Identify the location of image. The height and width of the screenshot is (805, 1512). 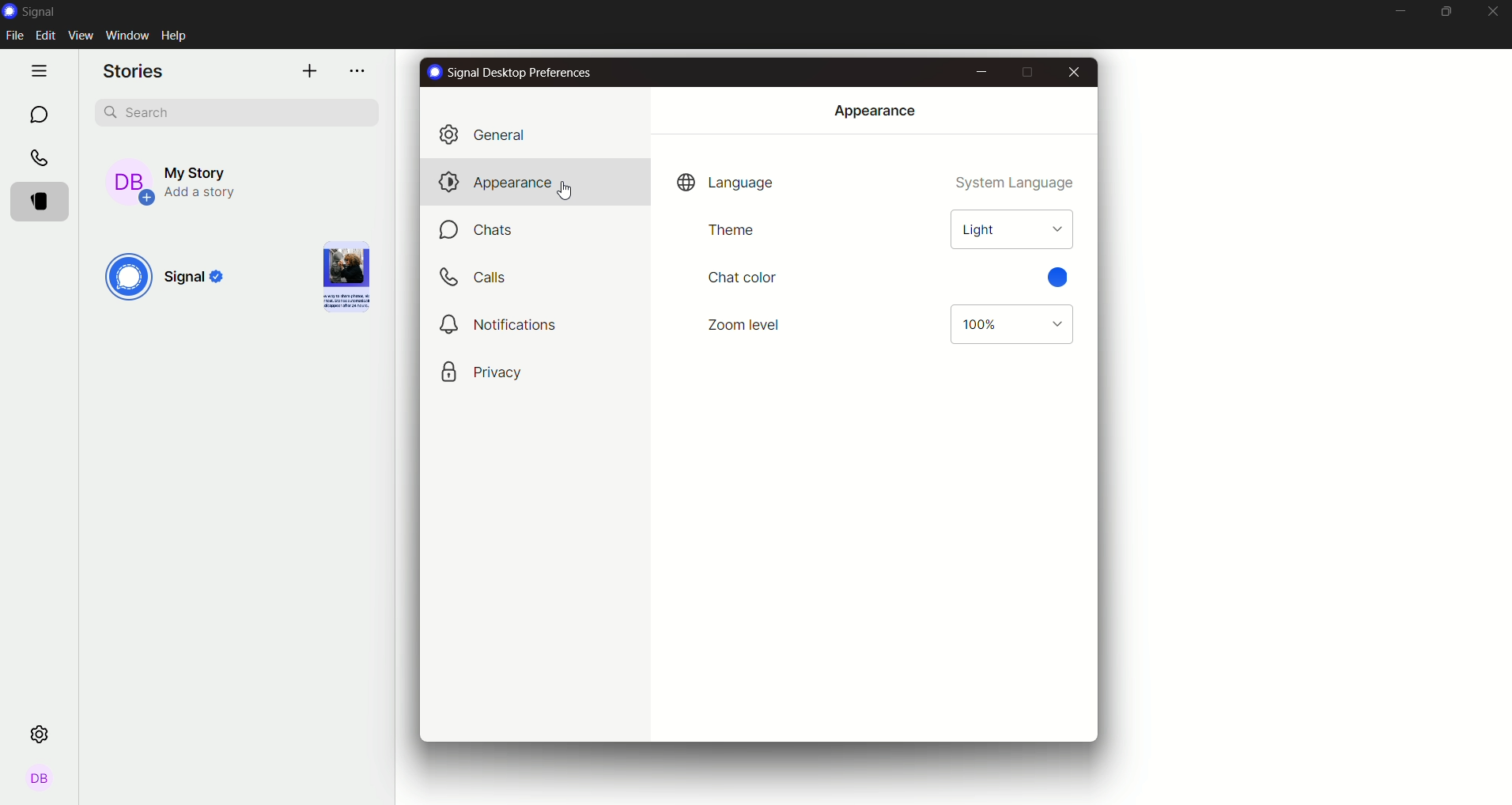
(342, 276).